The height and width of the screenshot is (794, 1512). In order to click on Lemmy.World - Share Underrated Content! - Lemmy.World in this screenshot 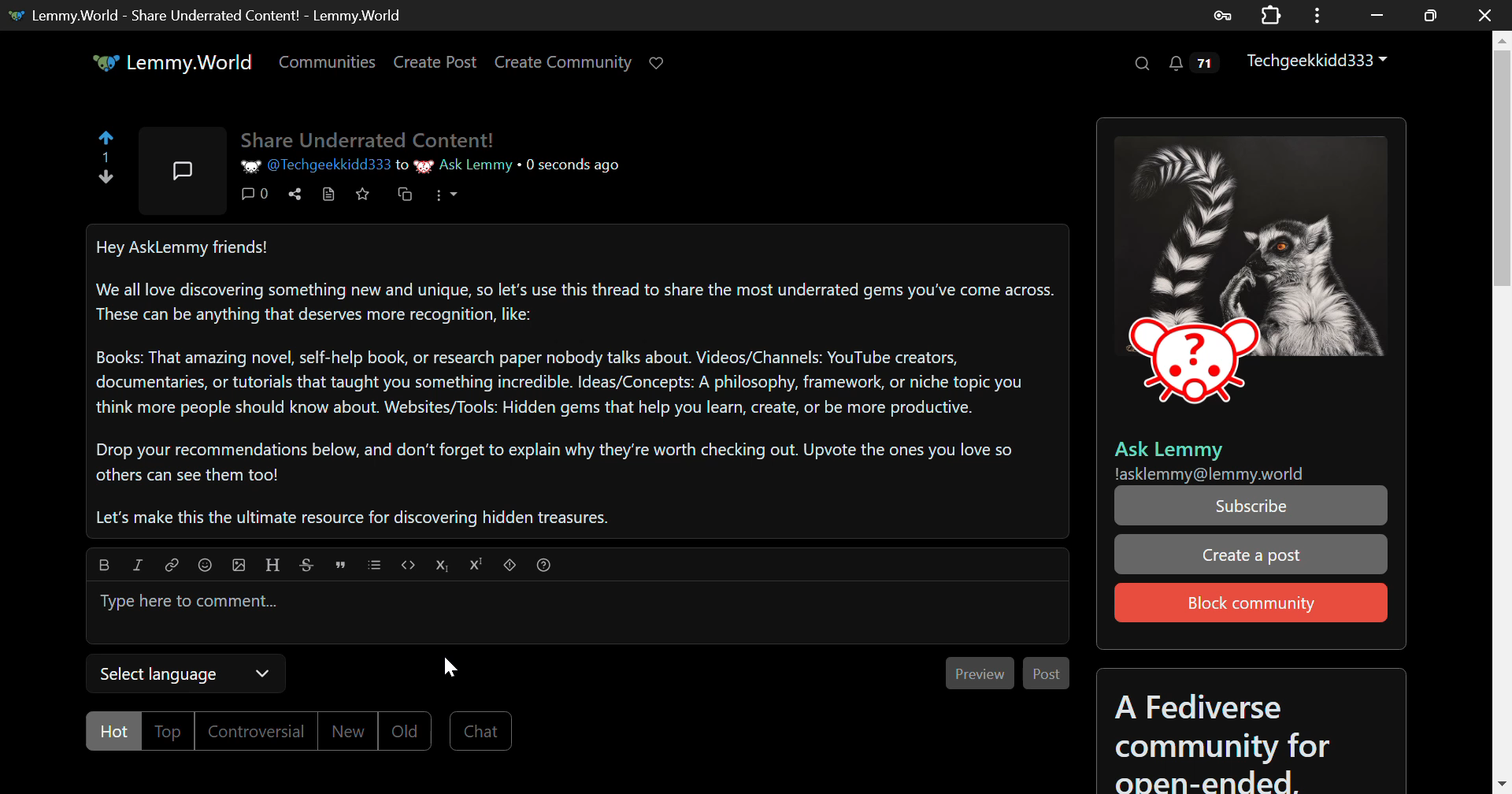, I will do `click(213, 15)`.